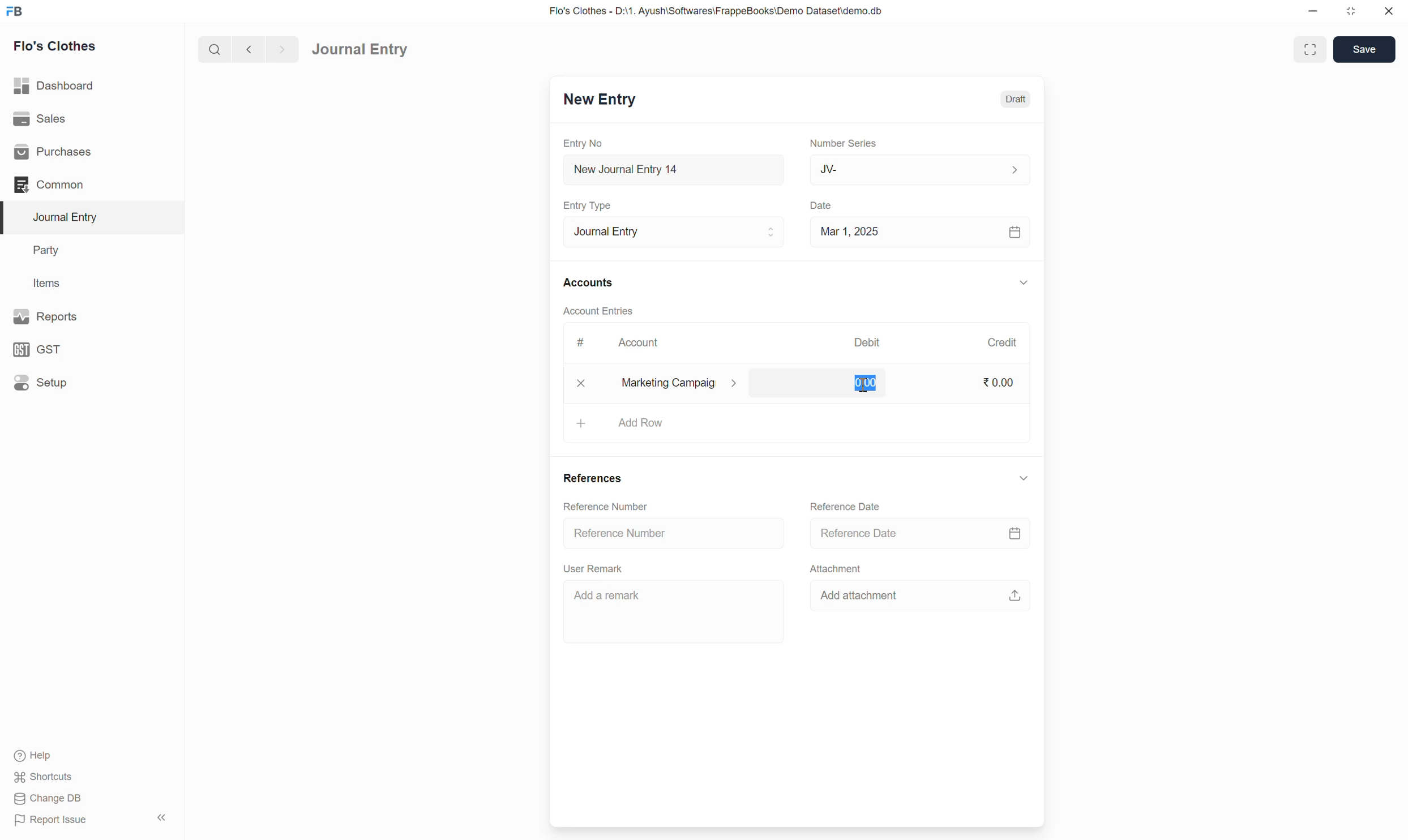 This screenshot has height=840, width=1408. What do you see at coordinates (921, 169) in the screenshot?
I see `JV-` at bounding box center [921, 169].